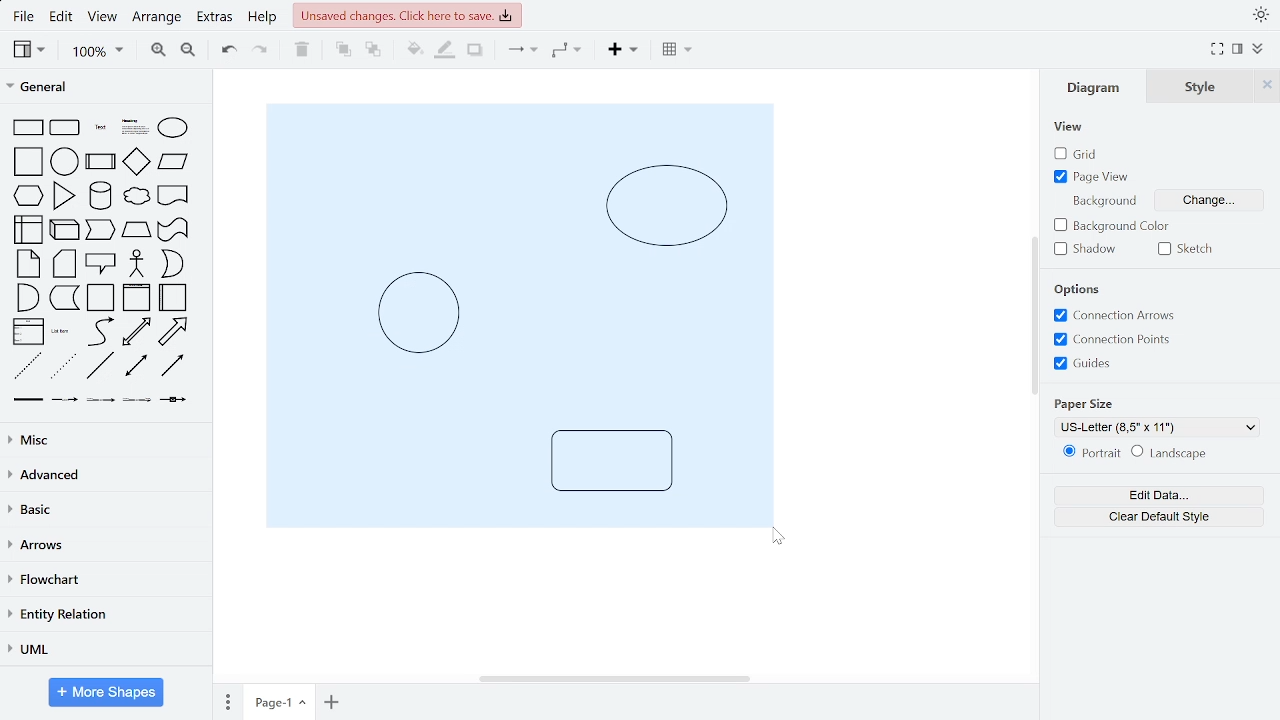 The width and height of the screenshot is (1280, 720). I want to click on process, so click(101, 161).